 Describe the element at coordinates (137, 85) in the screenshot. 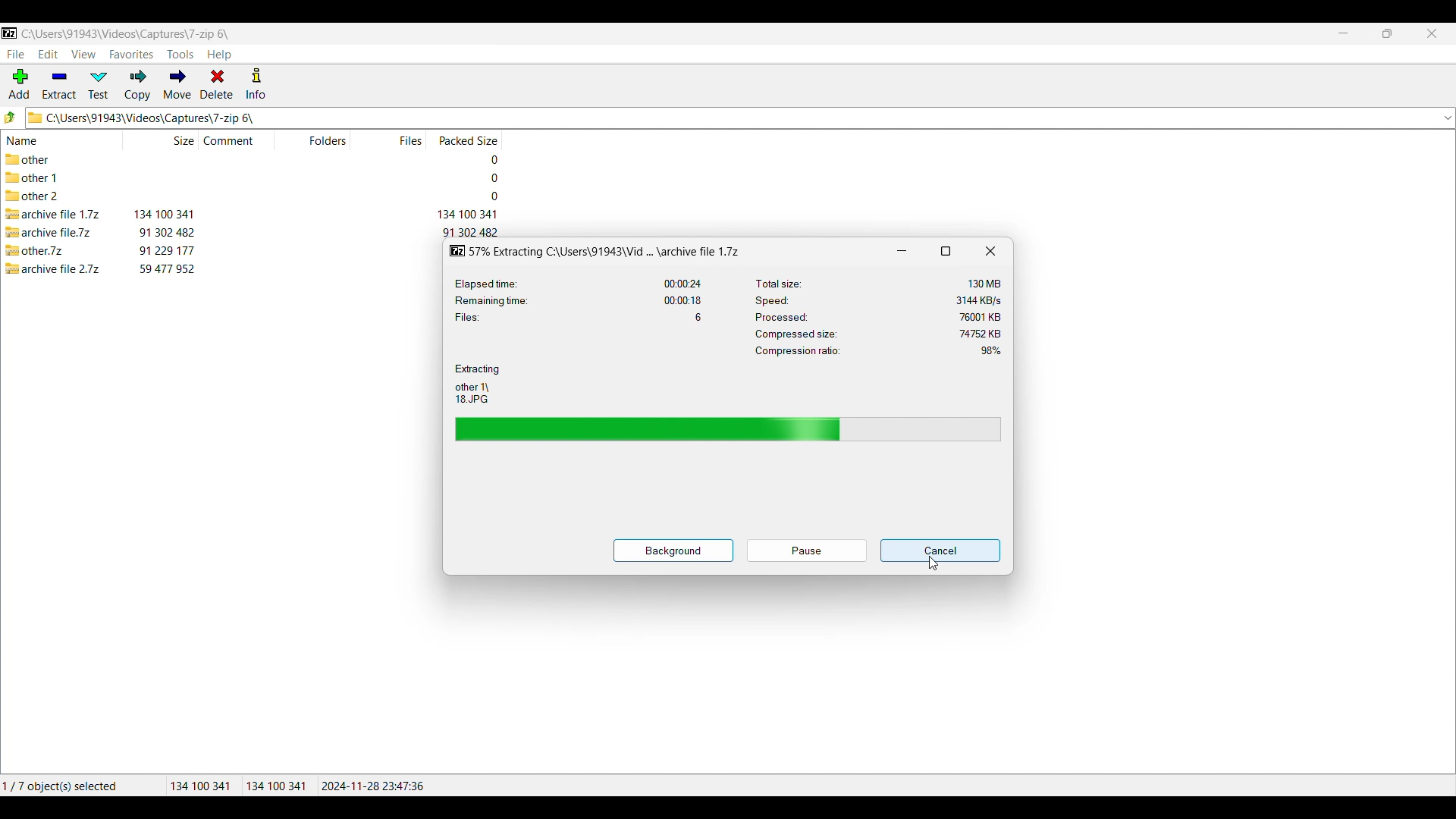

I see `Copy` at that location.